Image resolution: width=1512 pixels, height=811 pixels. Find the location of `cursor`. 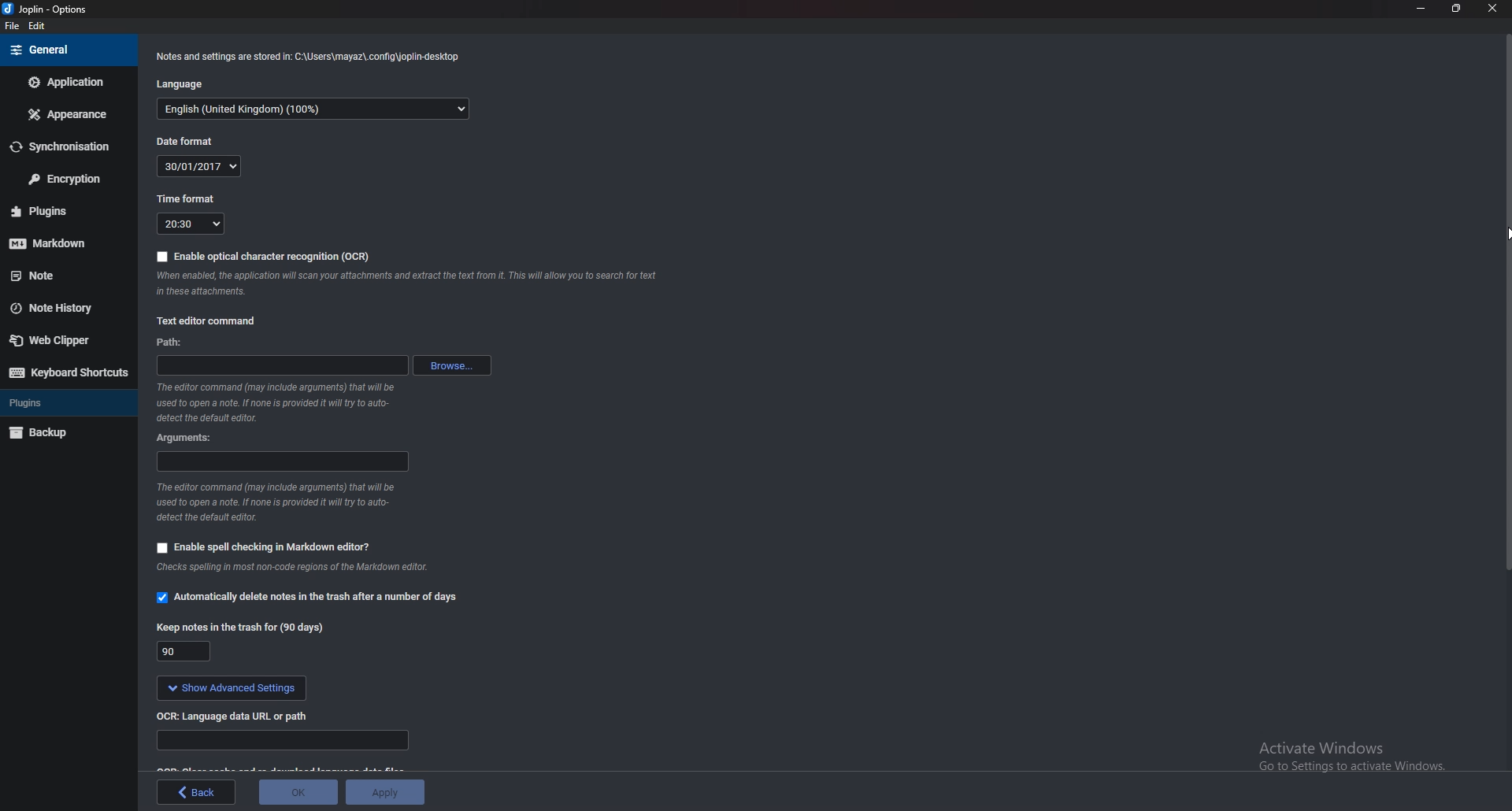

cursor is located at coordinates (1503, 236).